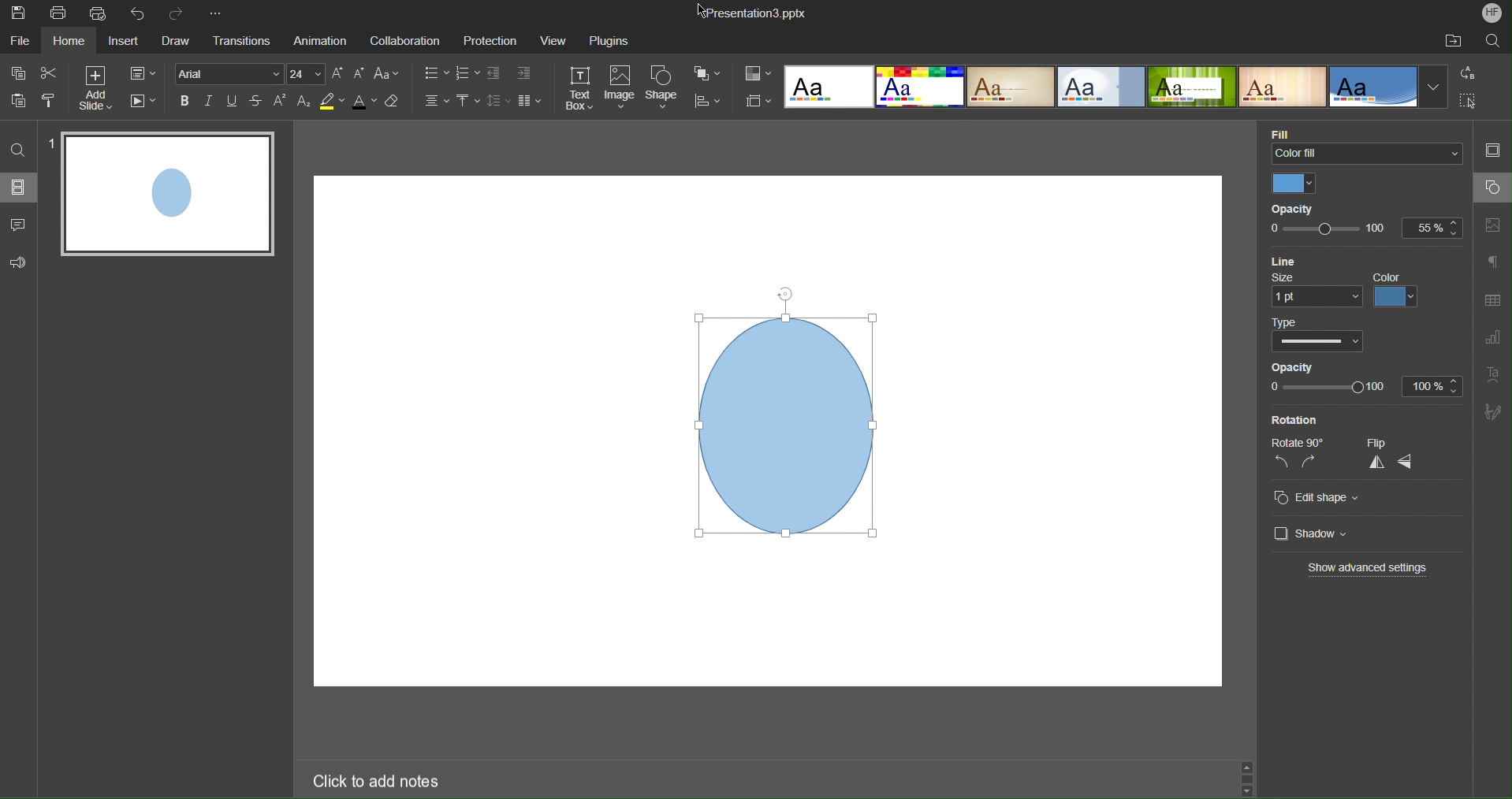  What do you see at coordinates (1283, 462) in the screenshot?
I see `Rotate CCW` at bounding box center [1283, 462].